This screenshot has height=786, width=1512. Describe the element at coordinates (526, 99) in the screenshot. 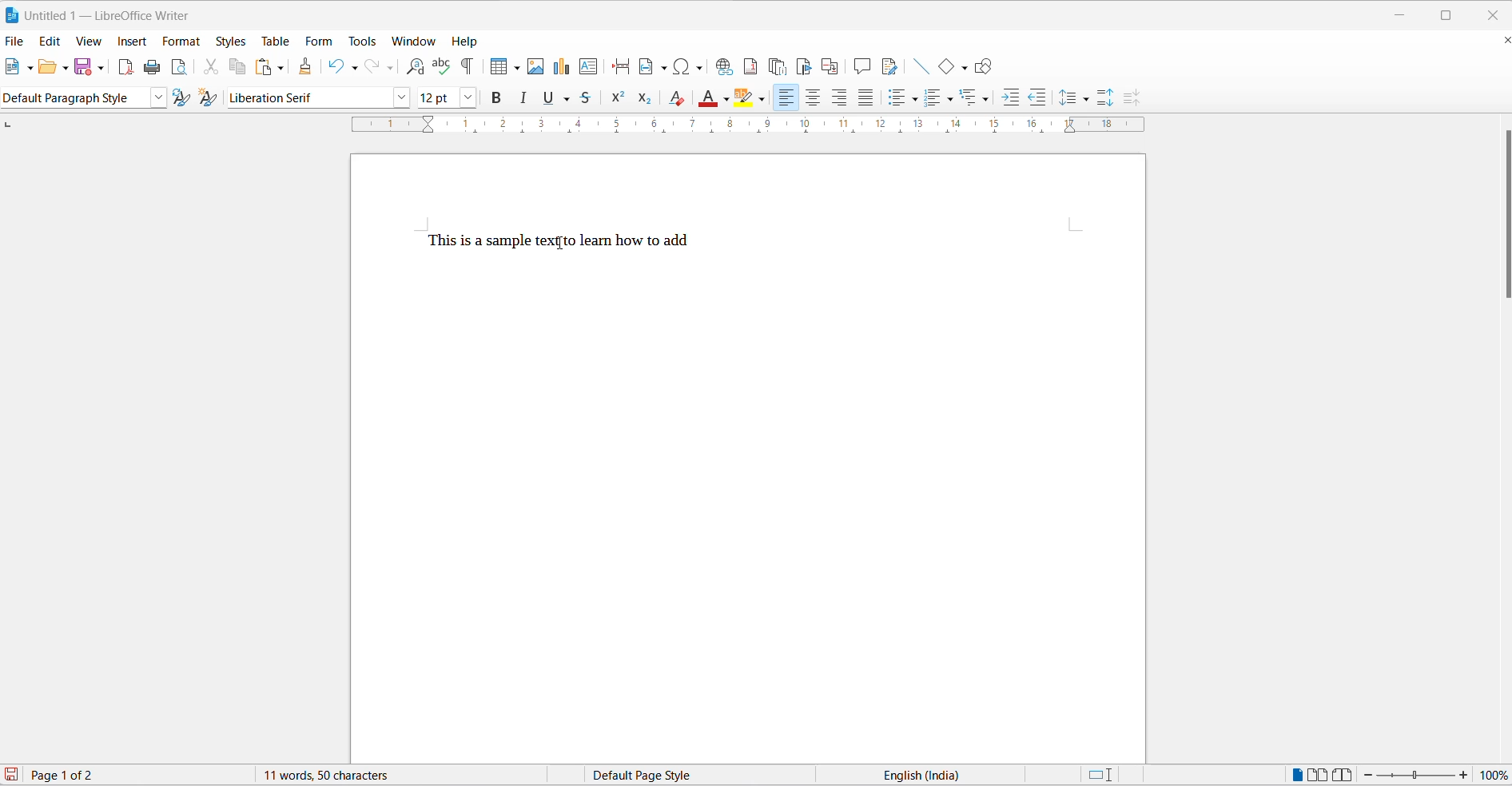

I see `italic` at that location.